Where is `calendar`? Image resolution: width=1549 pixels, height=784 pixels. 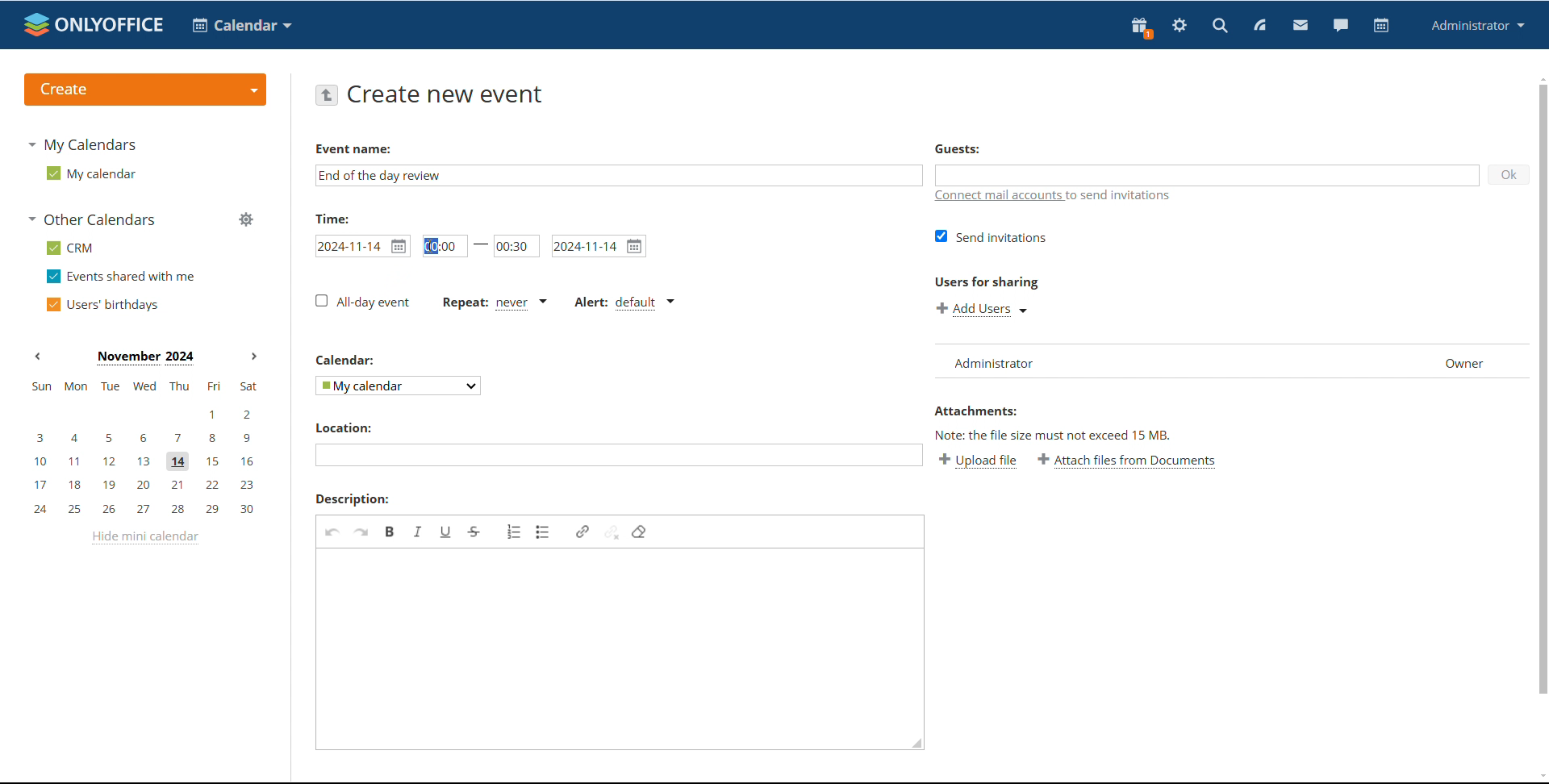
calendar is located at coordinates (1381, 26).